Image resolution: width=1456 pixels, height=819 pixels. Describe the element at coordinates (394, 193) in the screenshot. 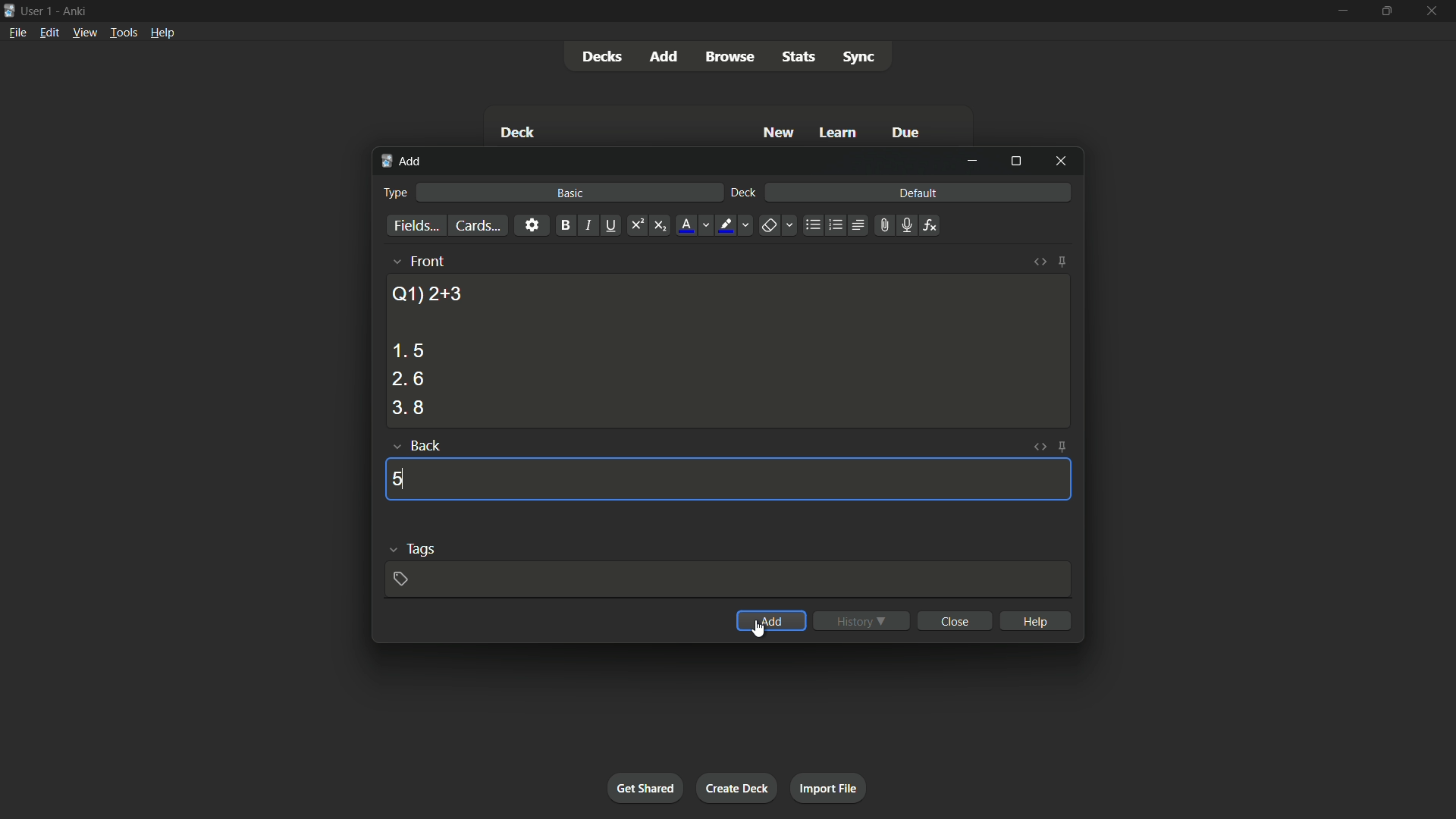

I see `type` at that location.